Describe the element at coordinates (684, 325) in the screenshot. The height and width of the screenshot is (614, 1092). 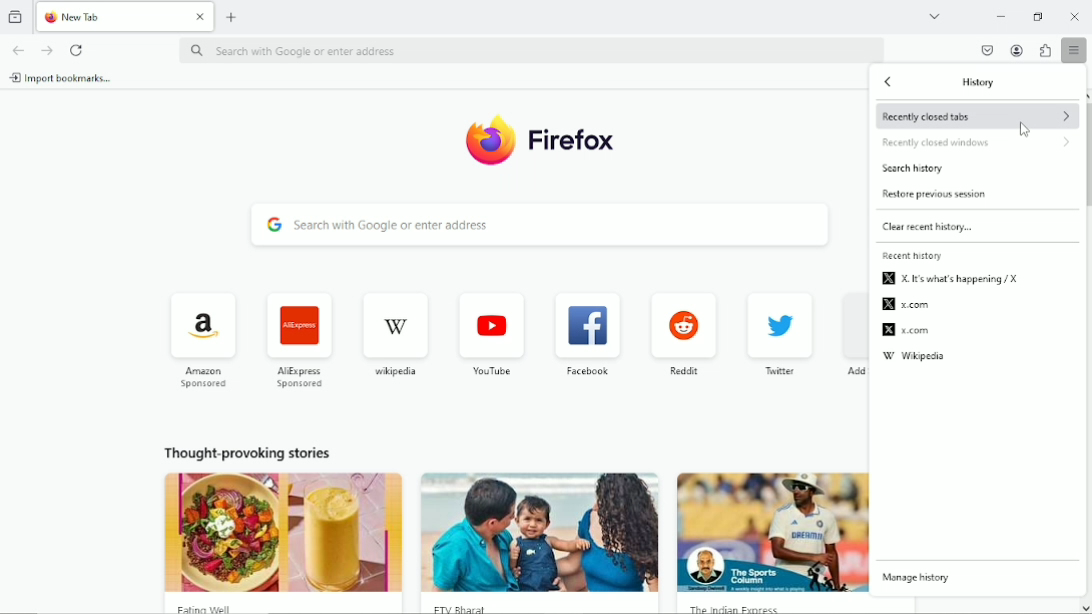
I see `icon` at that location.